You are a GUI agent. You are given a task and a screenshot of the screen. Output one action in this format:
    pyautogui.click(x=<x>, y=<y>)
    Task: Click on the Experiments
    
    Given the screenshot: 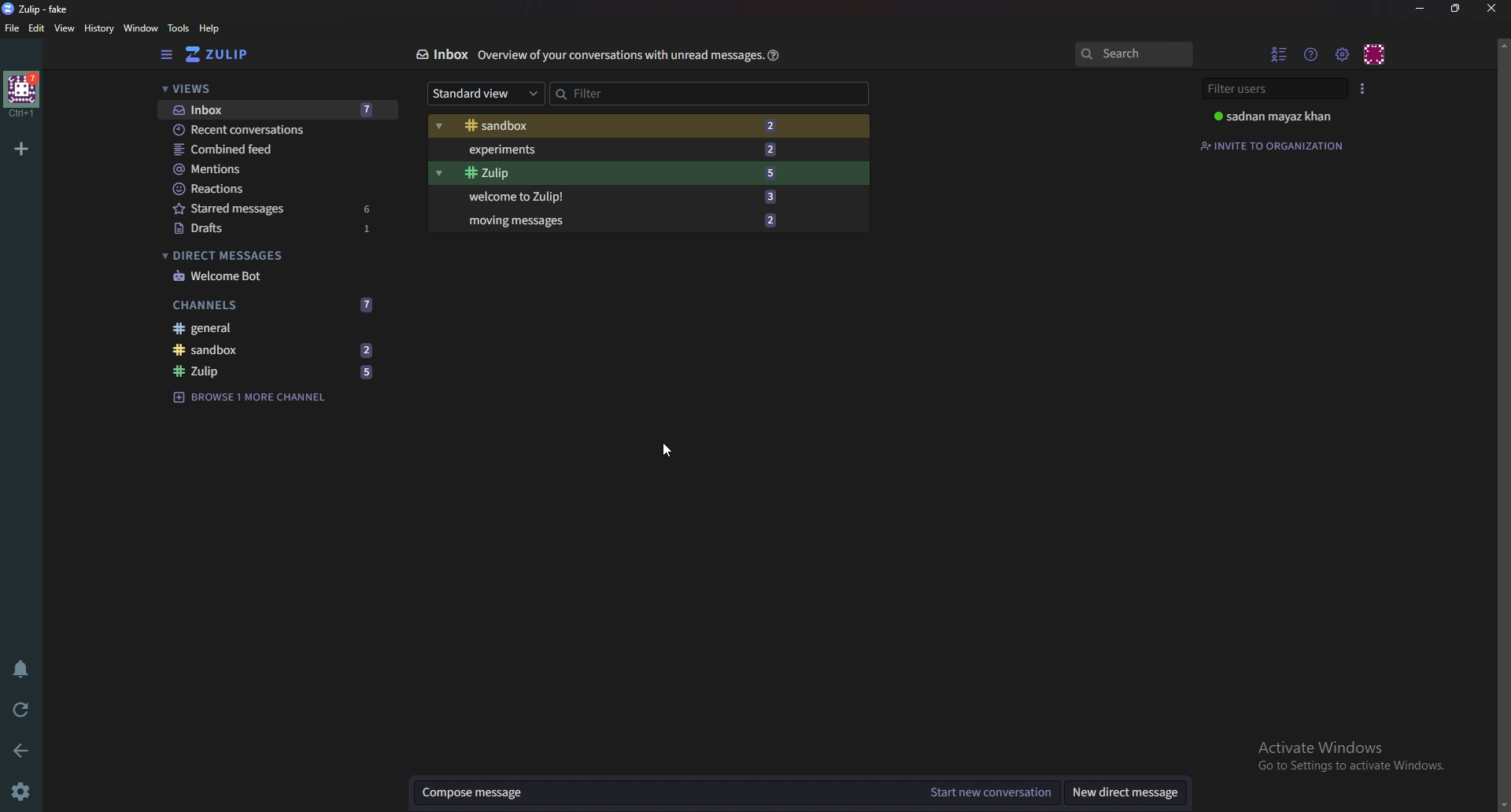 What is the action you would take?
    pyautogui.click(x=617, y=149)
    